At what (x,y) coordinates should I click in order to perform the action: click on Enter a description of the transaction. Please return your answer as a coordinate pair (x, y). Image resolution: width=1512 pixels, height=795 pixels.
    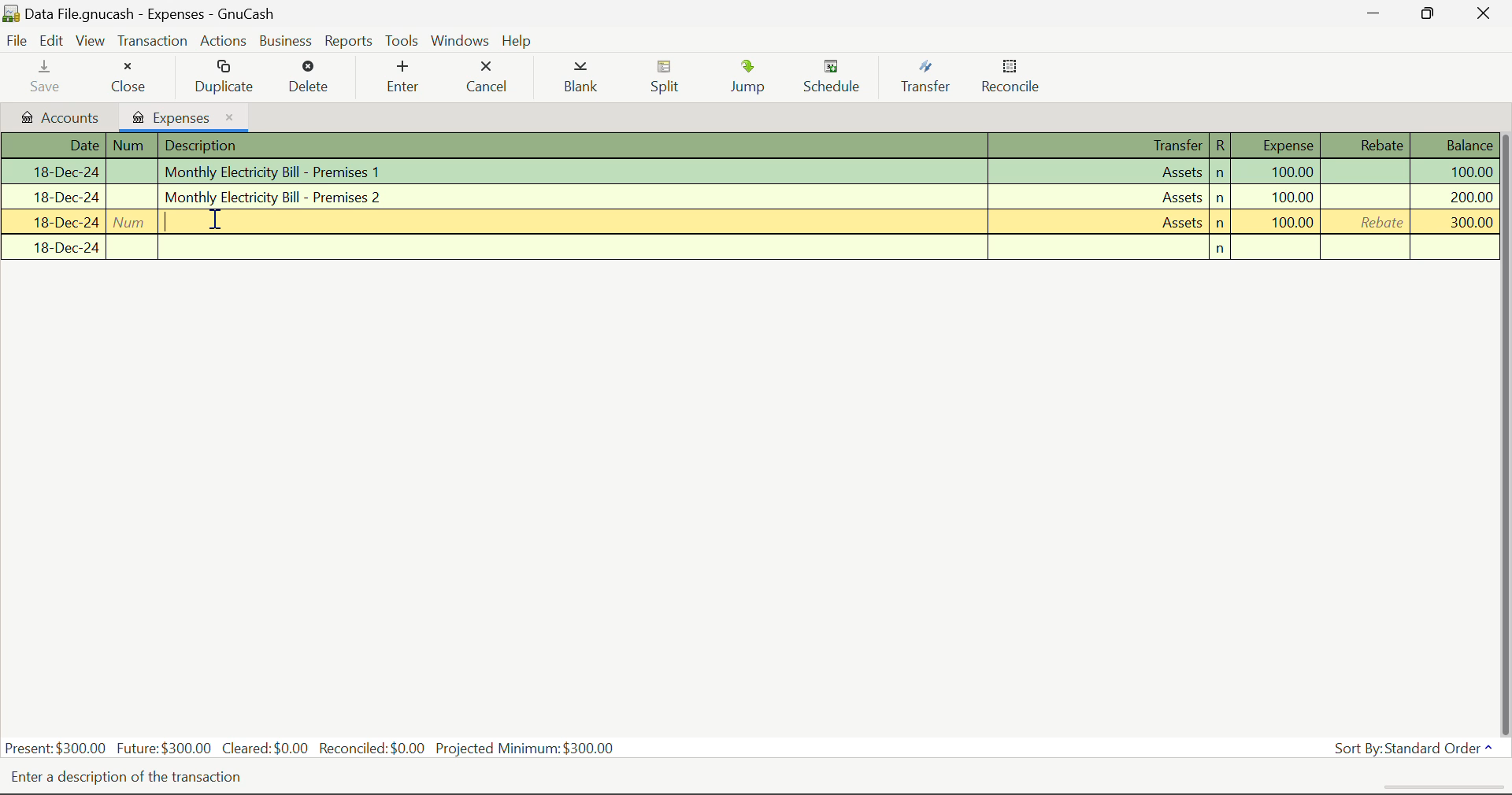
    Looking at the image, I should click on (124, 778).